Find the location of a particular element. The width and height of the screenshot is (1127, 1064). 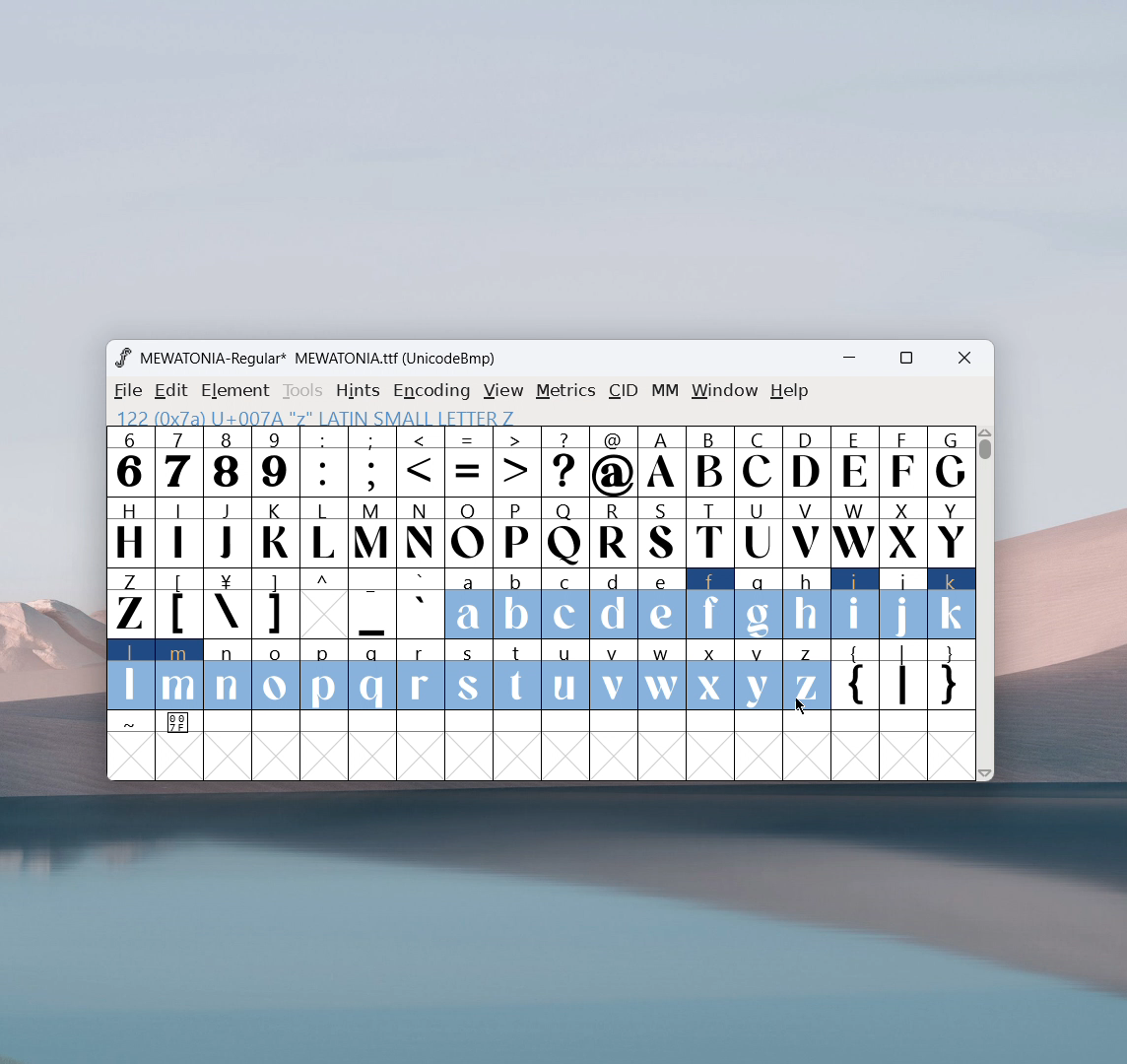

help is located at coordinates (790, 391).